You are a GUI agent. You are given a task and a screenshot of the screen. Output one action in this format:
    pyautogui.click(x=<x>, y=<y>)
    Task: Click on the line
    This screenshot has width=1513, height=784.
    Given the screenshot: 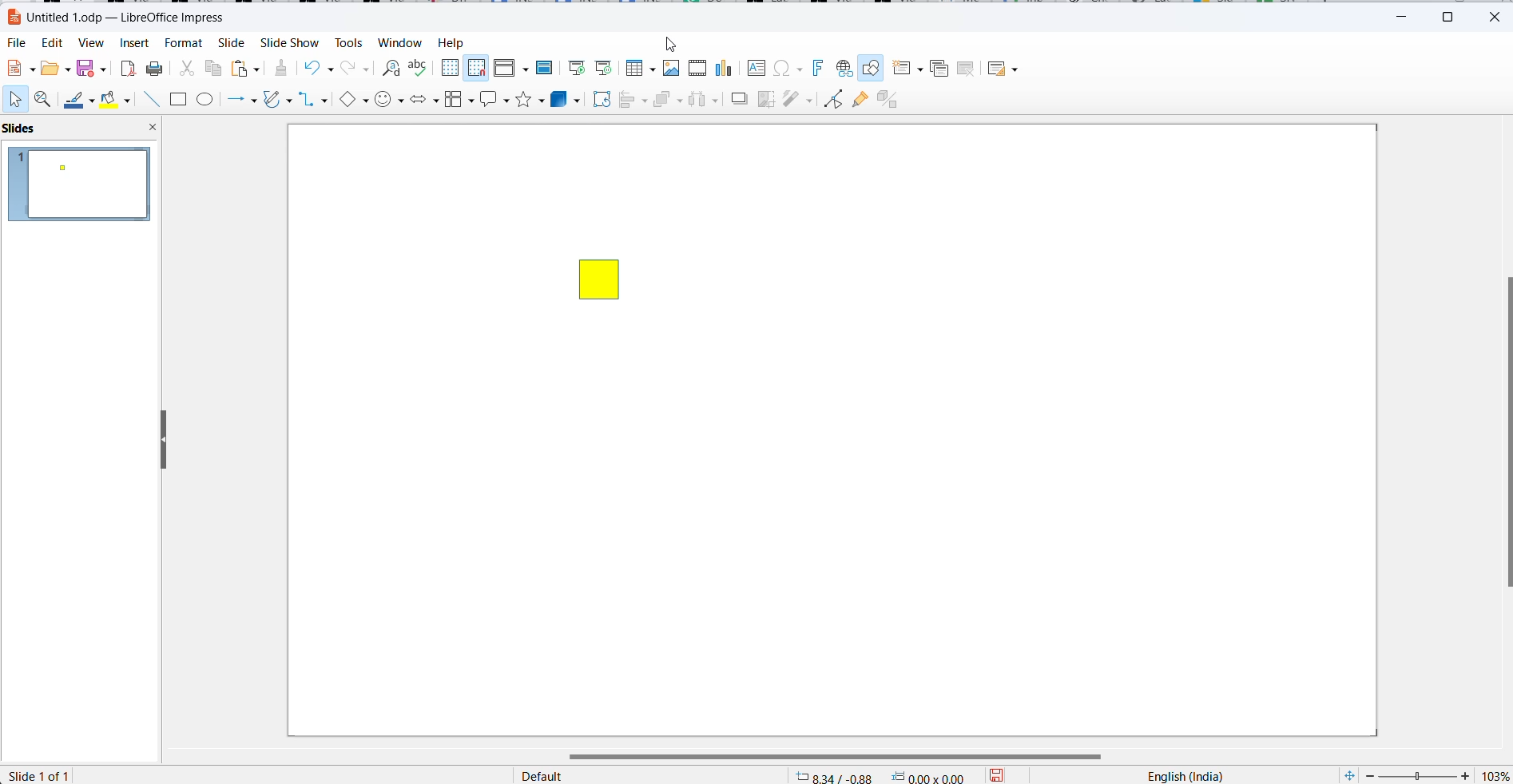 What is the action you would take?
    pyautogui.click(x=78, y=102)
    